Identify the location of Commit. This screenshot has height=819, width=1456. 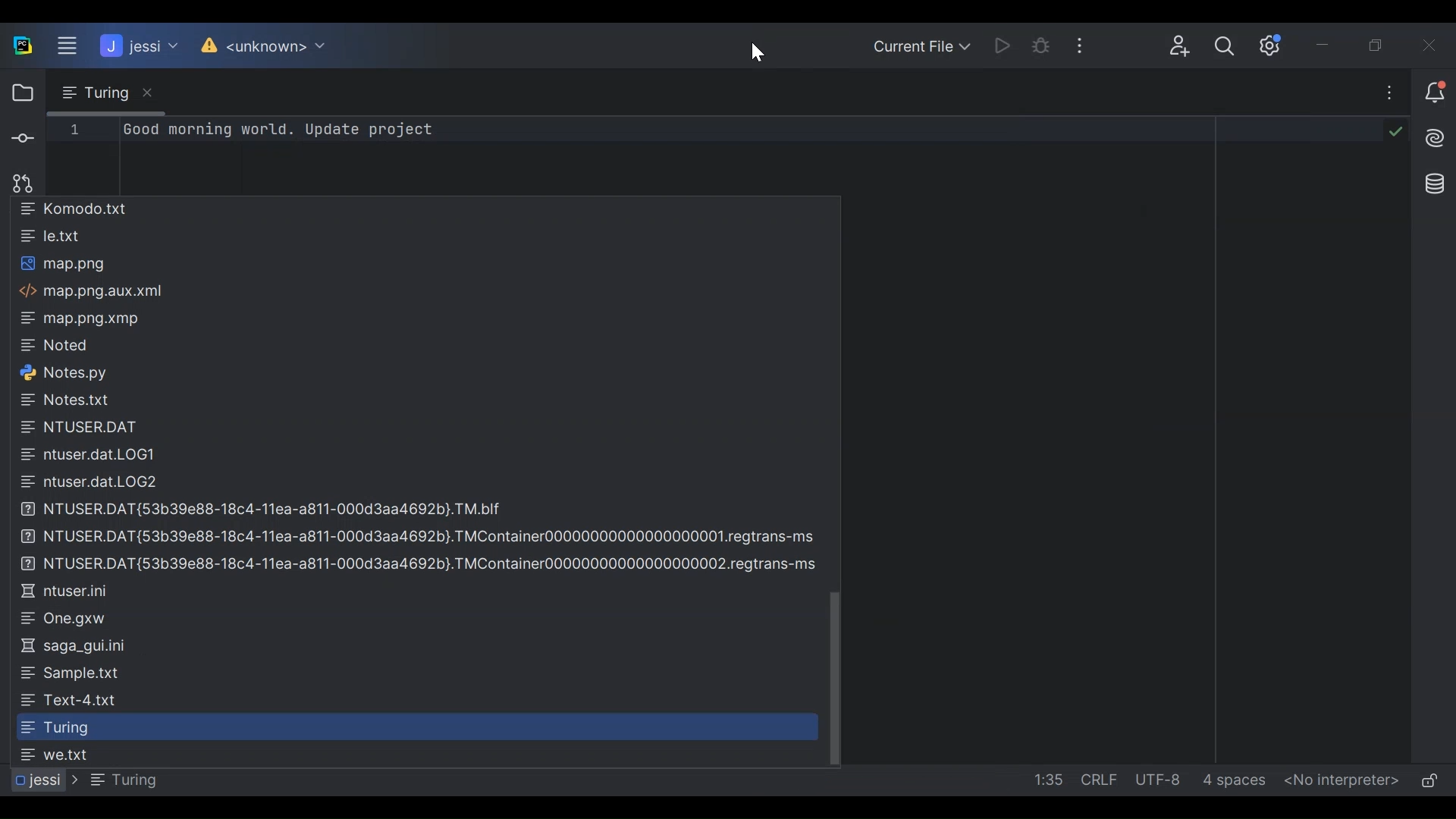
(21, 140).